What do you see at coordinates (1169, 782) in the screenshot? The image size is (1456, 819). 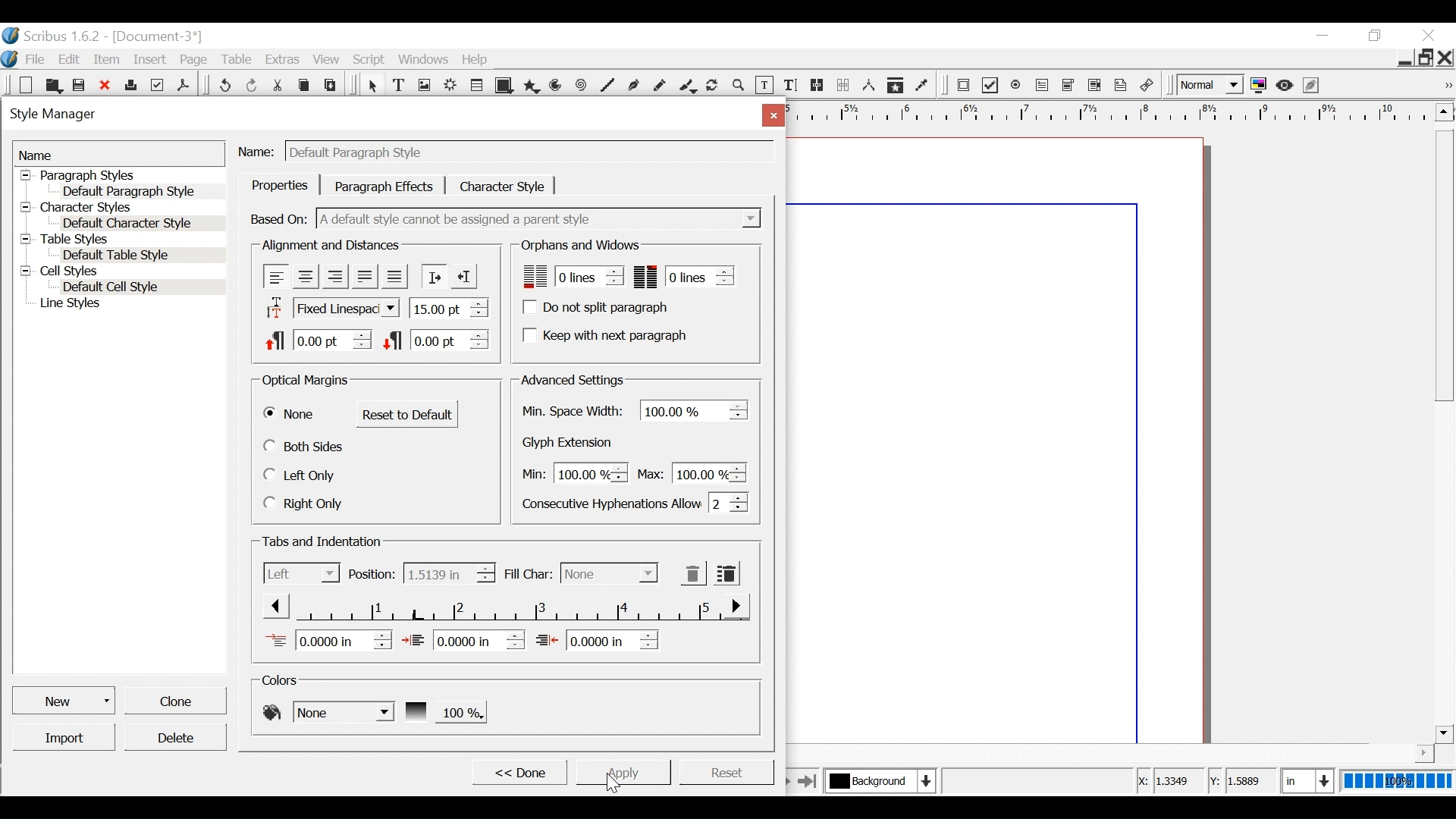 I see `X Coordinates` at bounding box center [1169, 782].